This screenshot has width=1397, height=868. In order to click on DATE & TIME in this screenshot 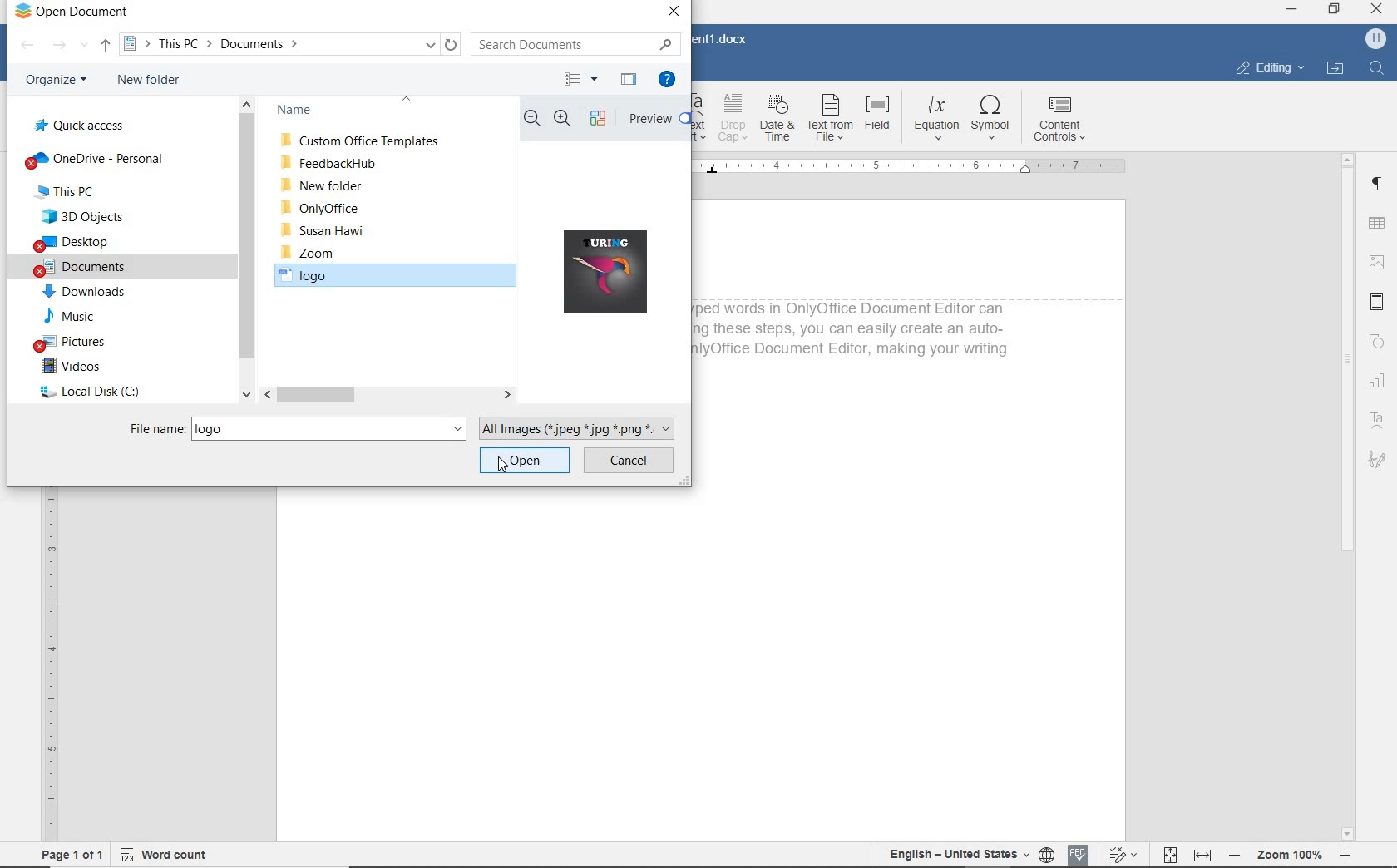, I will do `click(779, 121)`.